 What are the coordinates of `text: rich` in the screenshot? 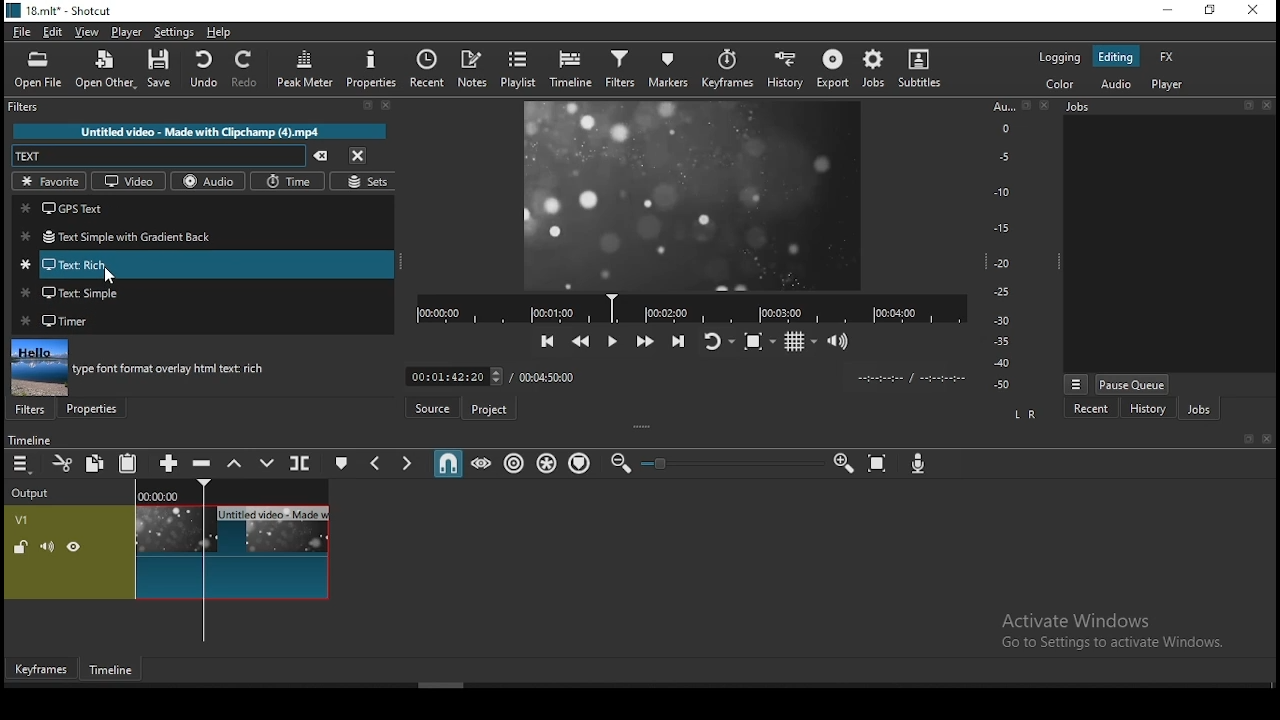 It's located at (205, 265).